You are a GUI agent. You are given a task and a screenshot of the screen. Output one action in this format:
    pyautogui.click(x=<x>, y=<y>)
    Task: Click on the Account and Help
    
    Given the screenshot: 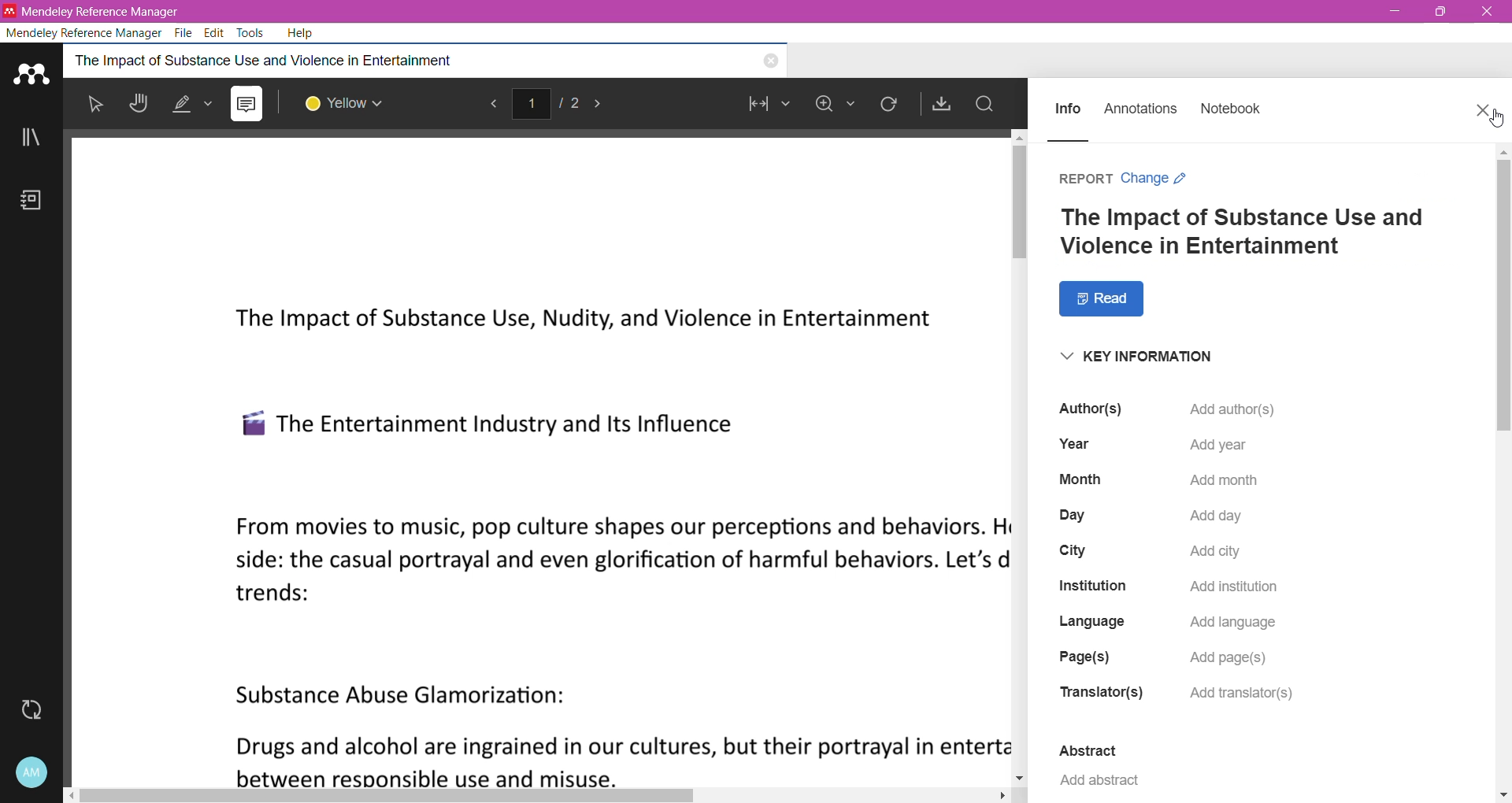 What is the action you would take?
    pyautogui.click(x=31, y=773)
    